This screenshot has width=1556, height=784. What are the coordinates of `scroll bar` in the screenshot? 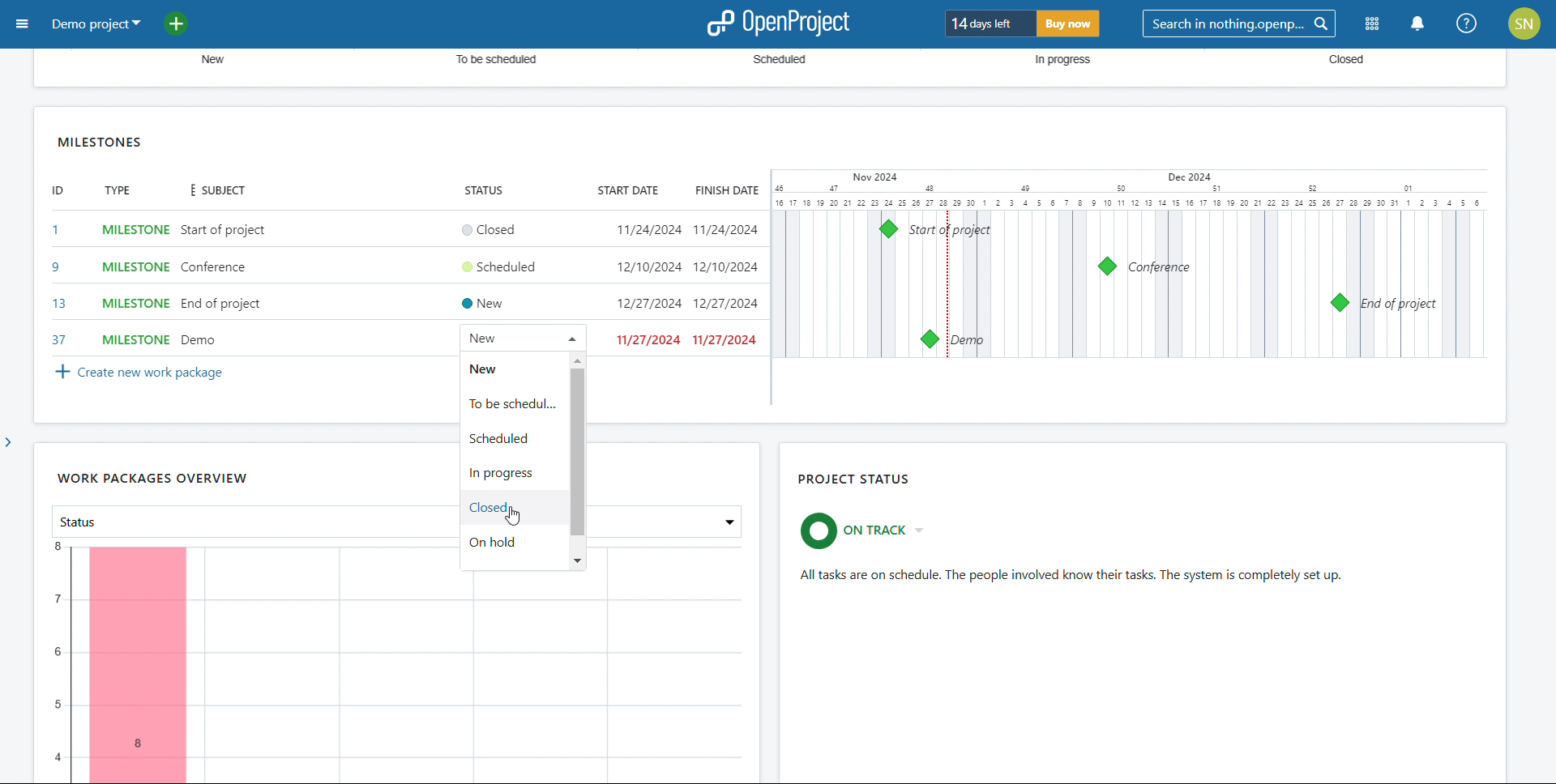 It's located at (1546, 431).